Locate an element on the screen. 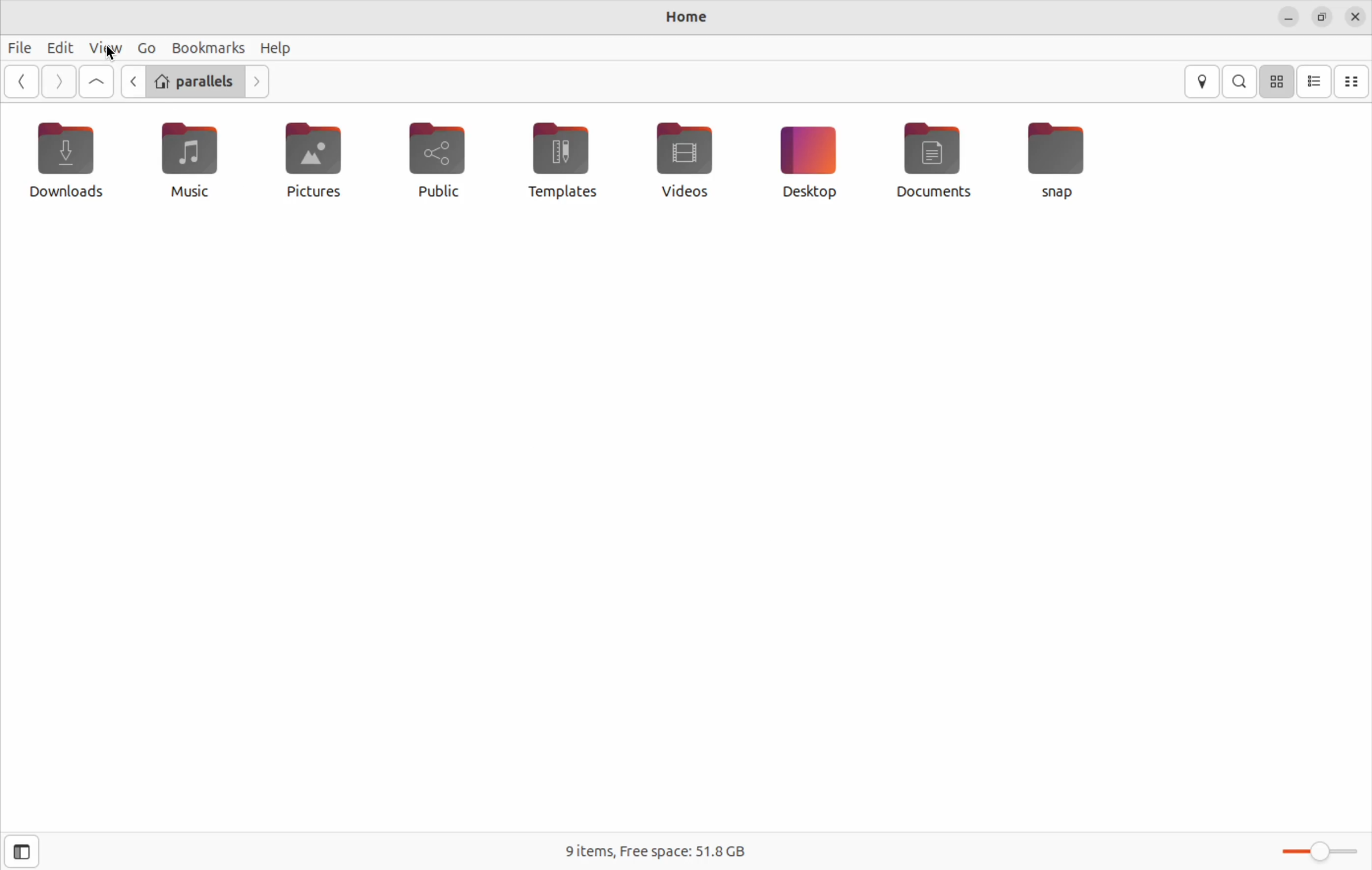  9 items free space 51.8Gb is located at coordinates (654, 851).